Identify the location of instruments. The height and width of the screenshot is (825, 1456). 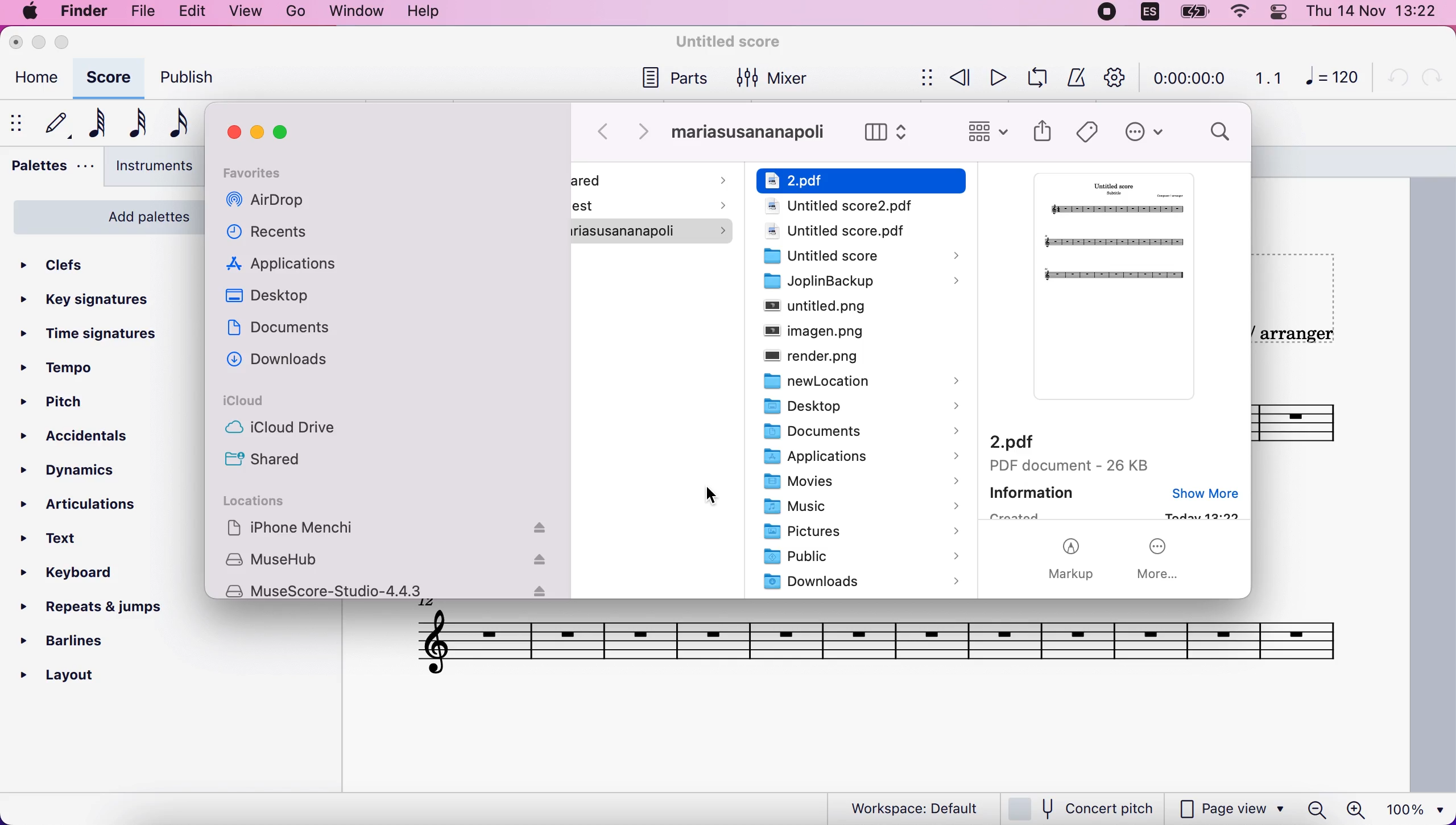
(149, 167).